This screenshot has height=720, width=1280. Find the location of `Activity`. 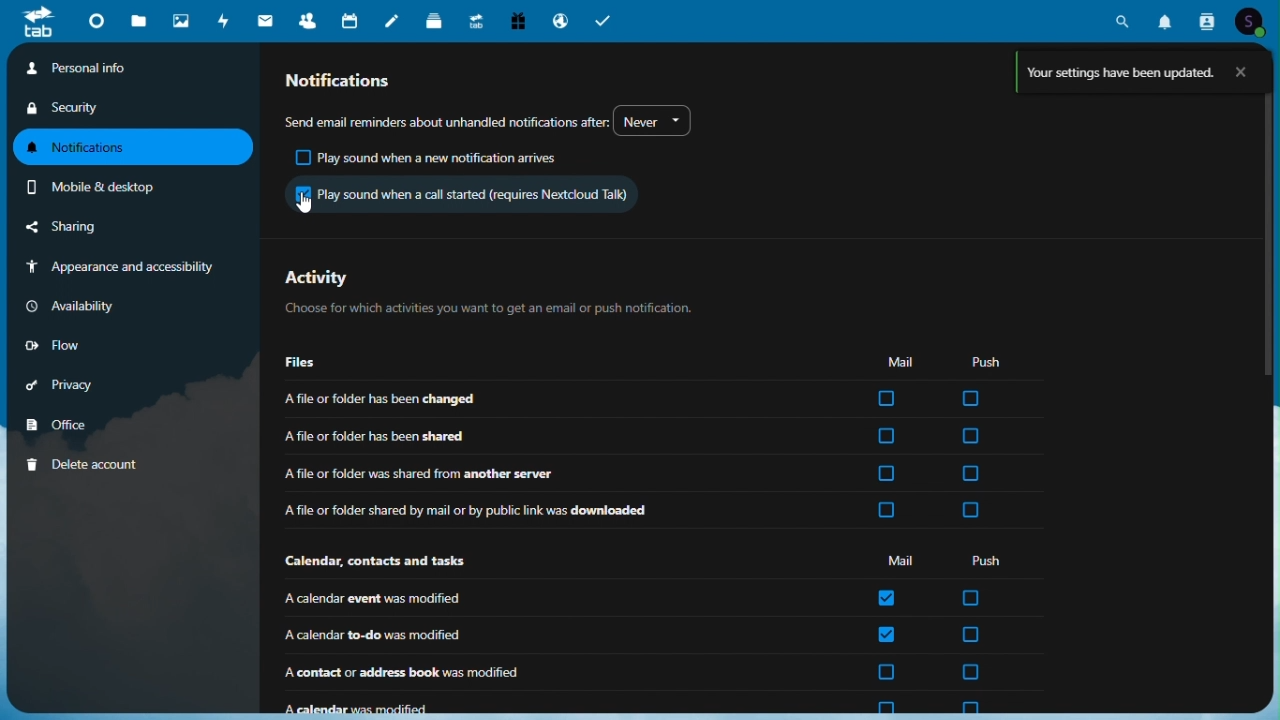

Activity is located at coordinates (486, 291).